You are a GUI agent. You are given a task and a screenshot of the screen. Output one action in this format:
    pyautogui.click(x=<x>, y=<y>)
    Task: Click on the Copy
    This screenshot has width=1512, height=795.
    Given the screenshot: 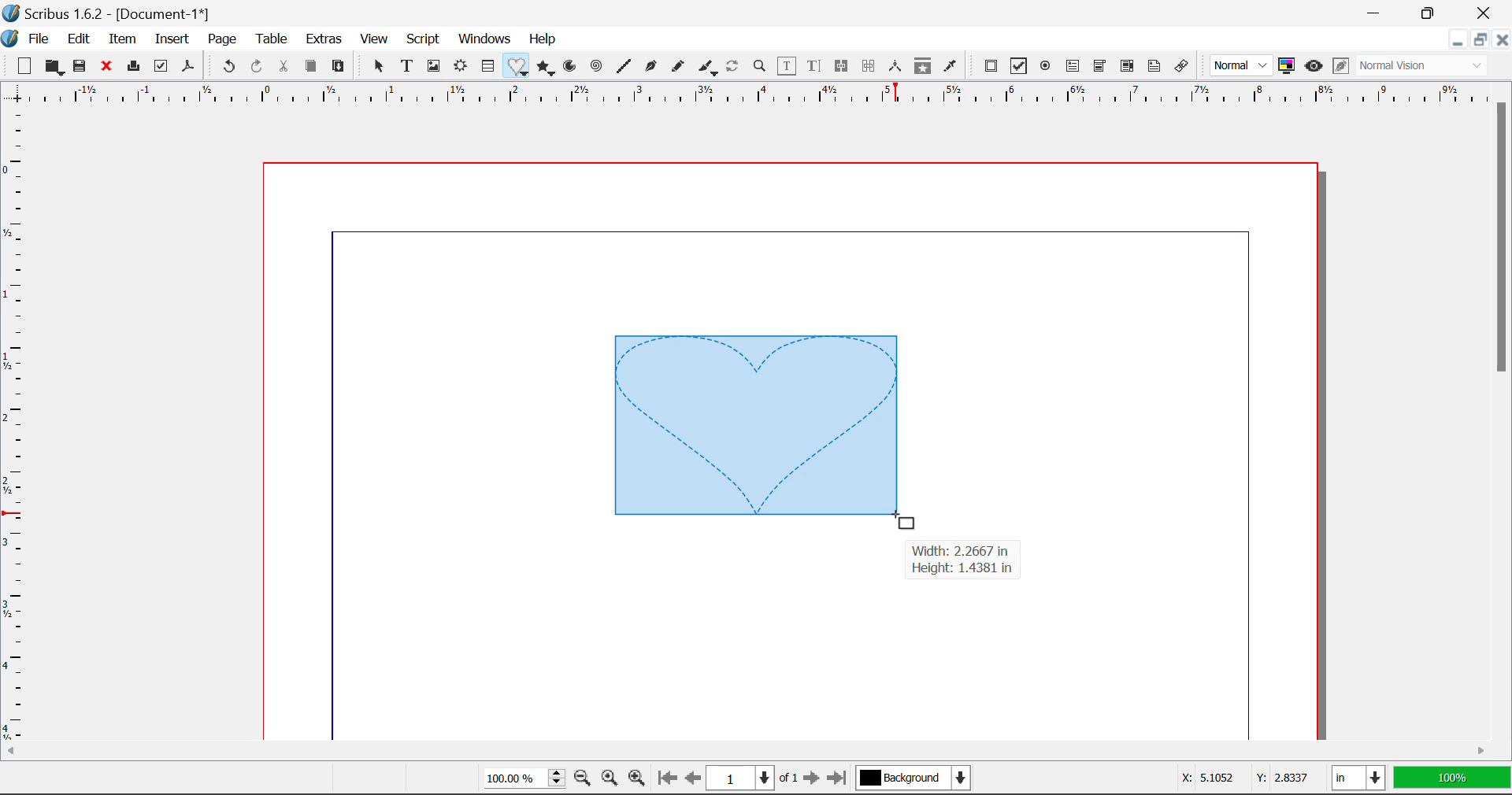 What is the action you would take?
    pyautogui.click(x=310, y=67)
    